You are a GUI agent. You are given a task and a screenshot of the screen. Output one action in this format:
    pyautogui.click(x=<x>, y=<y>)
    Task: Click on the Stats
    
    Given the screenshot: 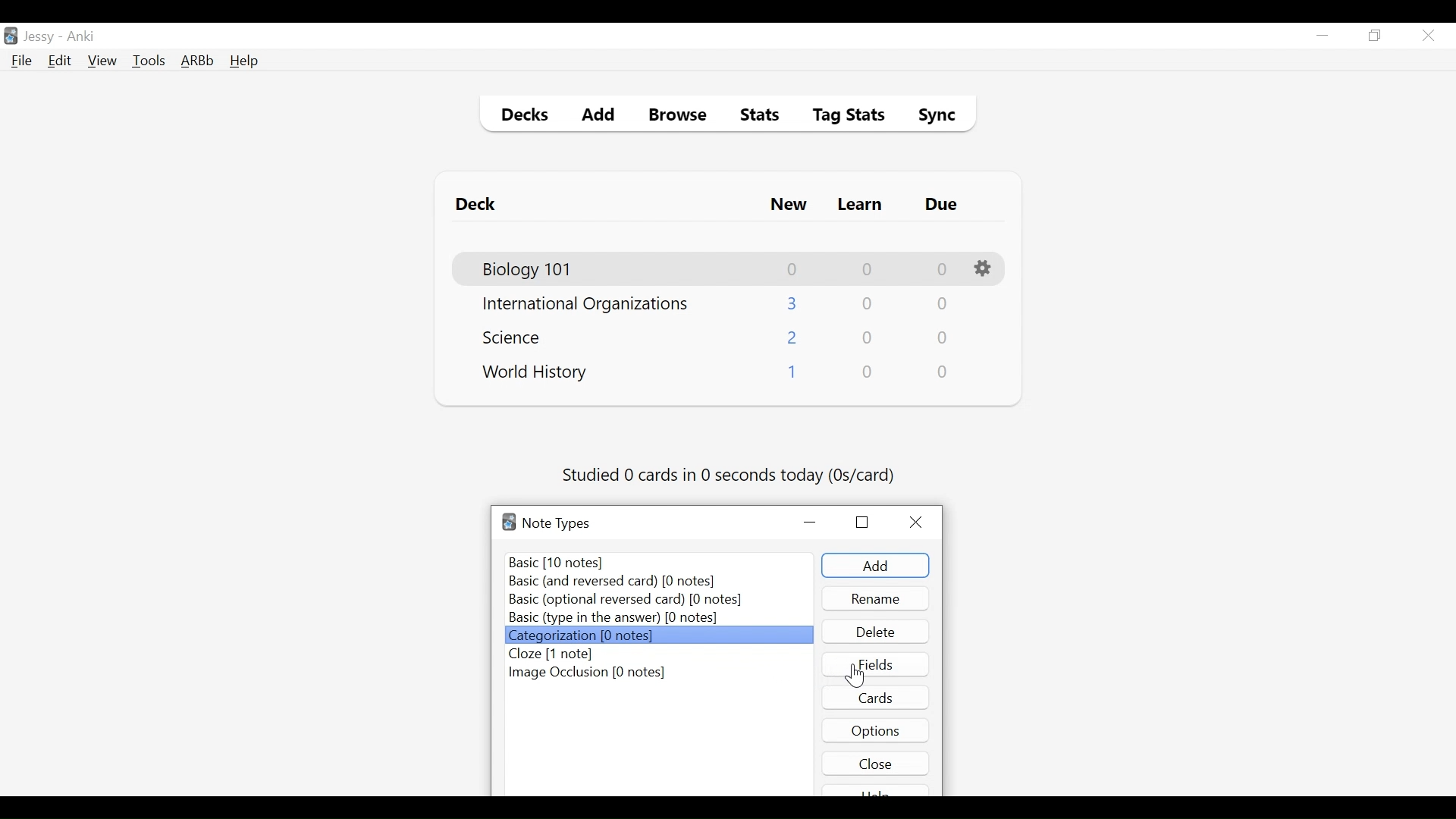 What is the action you would take?
    pyautogui.click(x=755, y=115)
    